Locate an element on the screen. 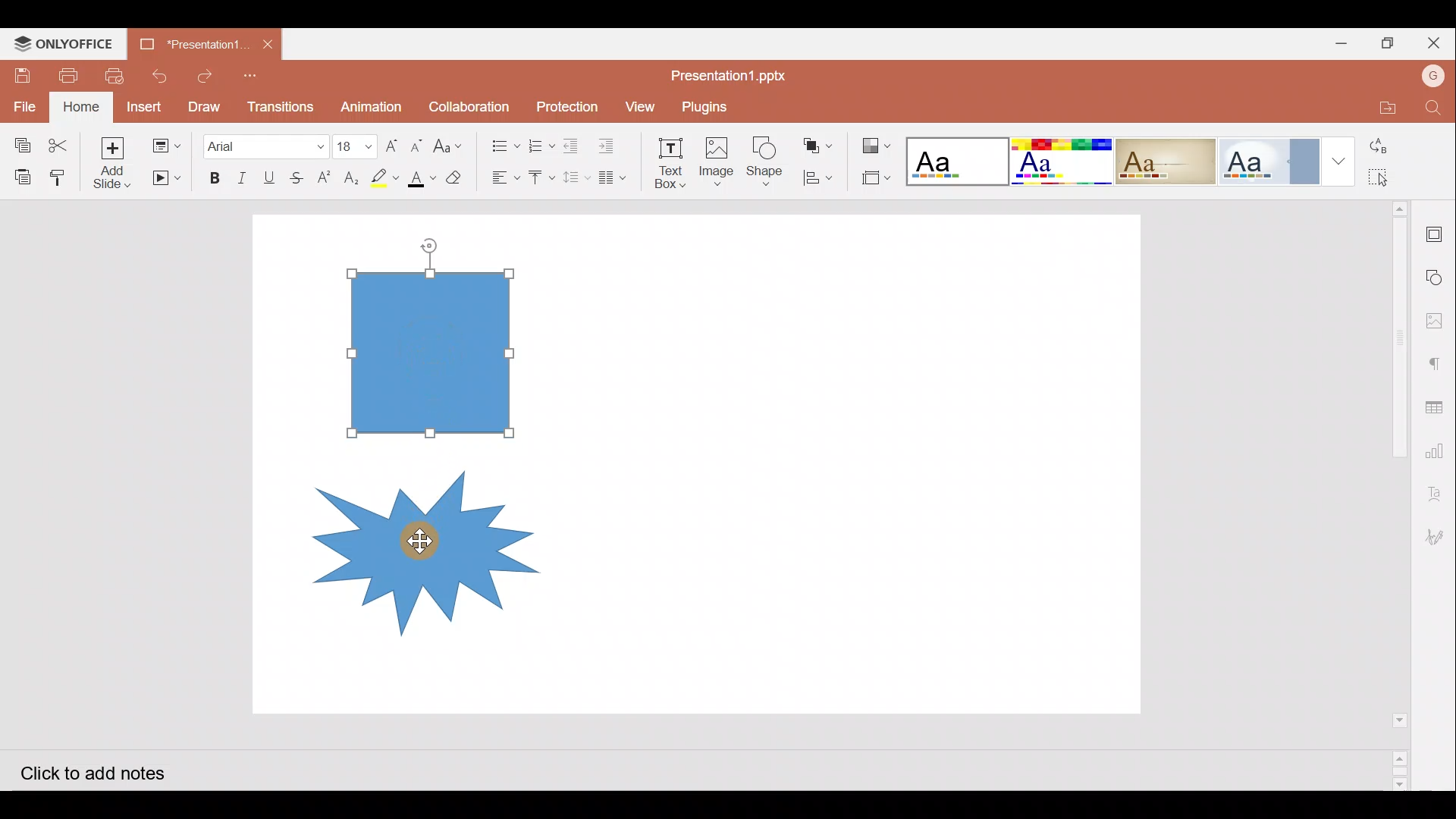 The width and height of the screenshot is (1456, 819). Object 1 is located at coordinates (438, 351).